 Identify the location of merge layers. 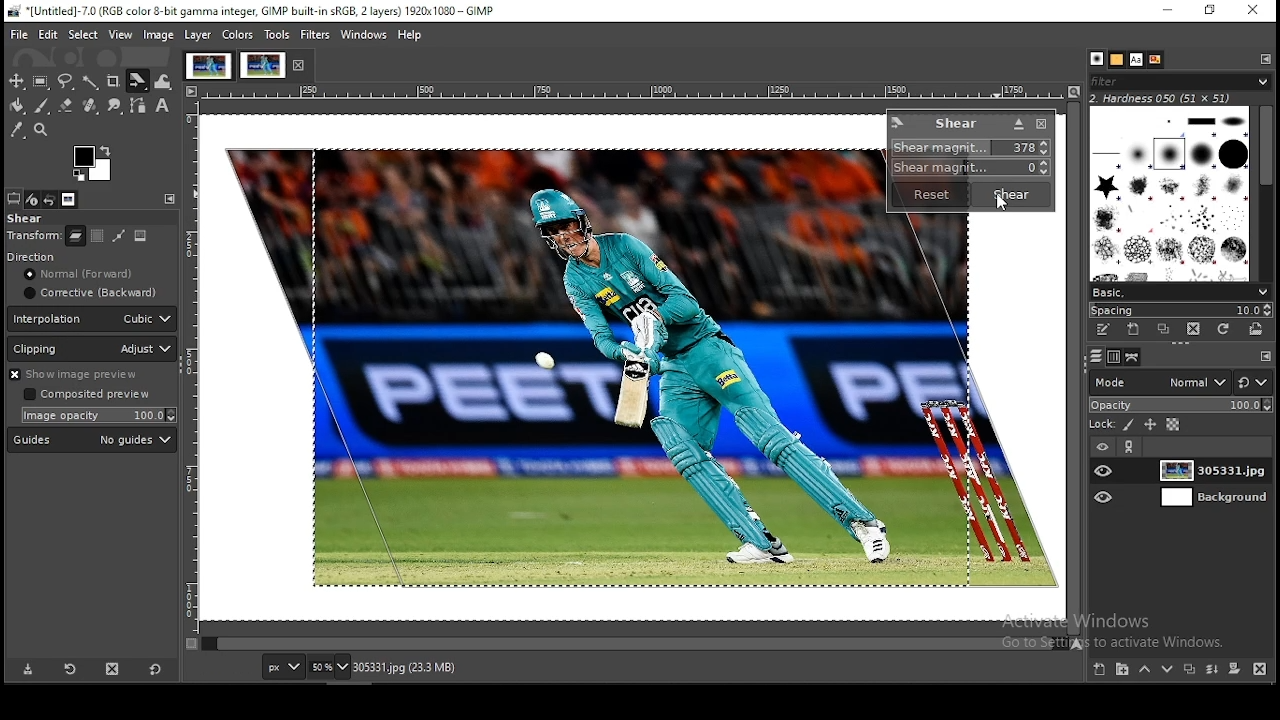
(1211, 670).